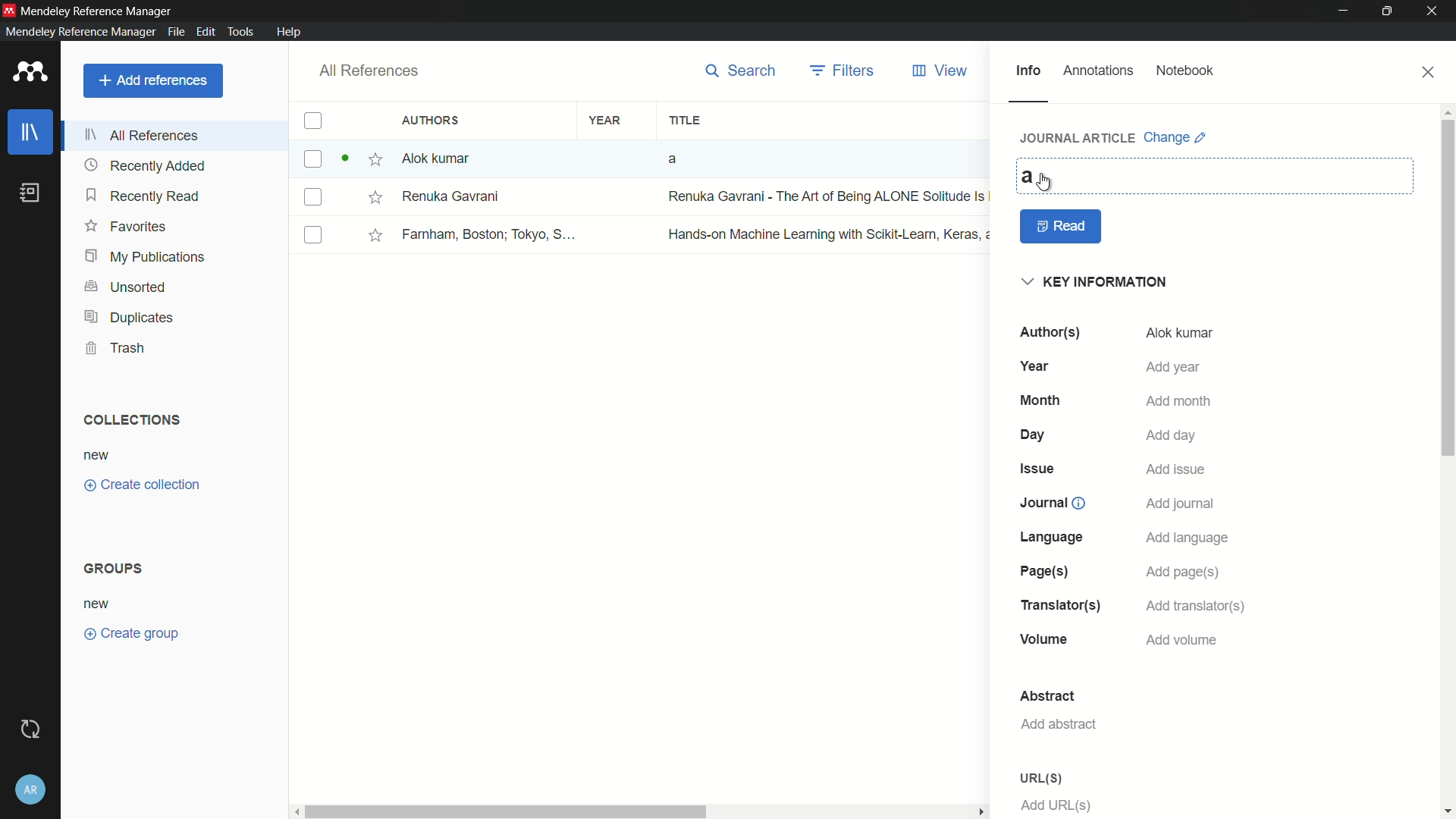  What do you see at coordinates (1435, 11) in the screenshot?
I see `close app` at bounding box center [1435, 11].